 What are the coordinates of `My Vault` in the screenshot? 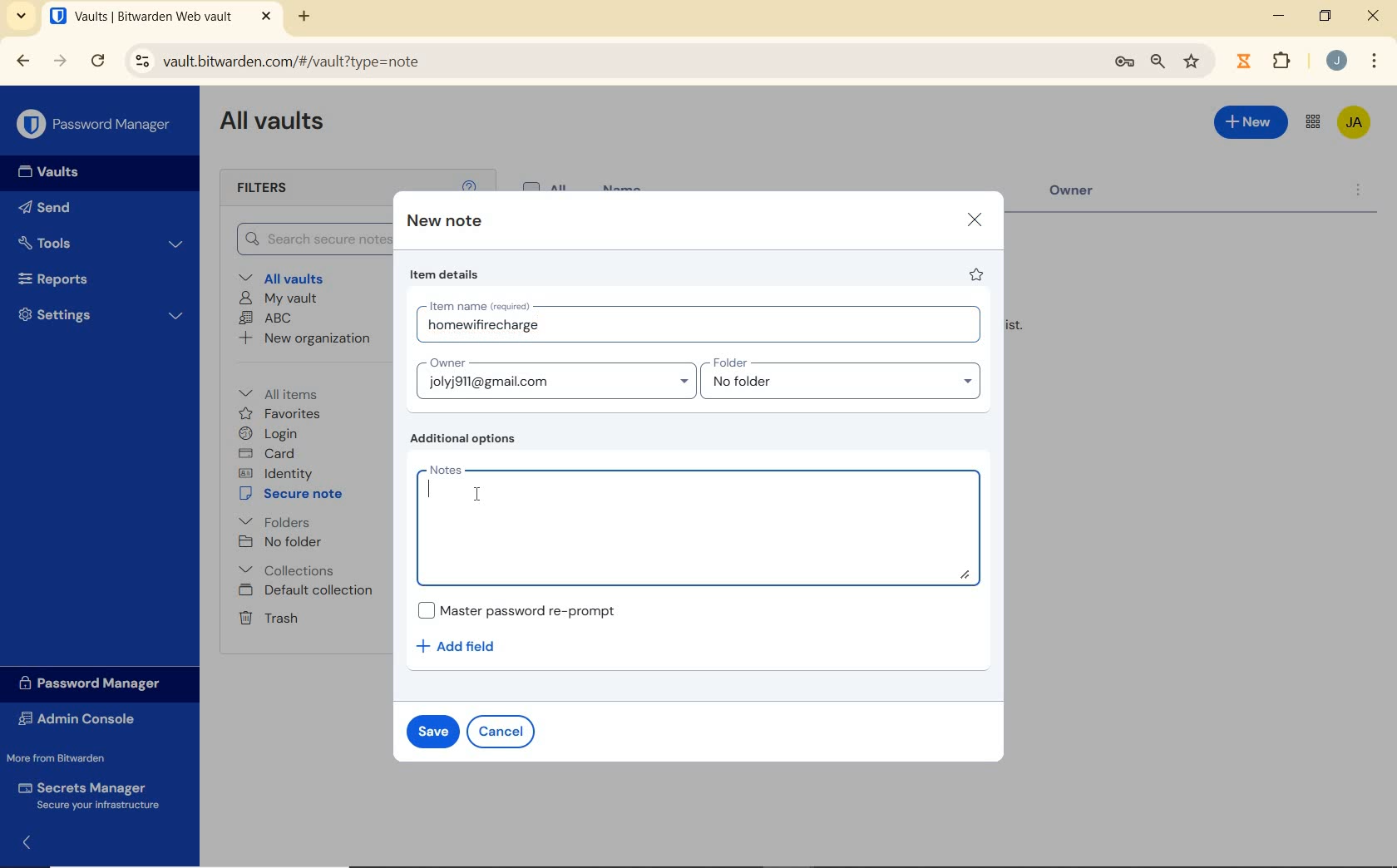 It's located at (278, 299).